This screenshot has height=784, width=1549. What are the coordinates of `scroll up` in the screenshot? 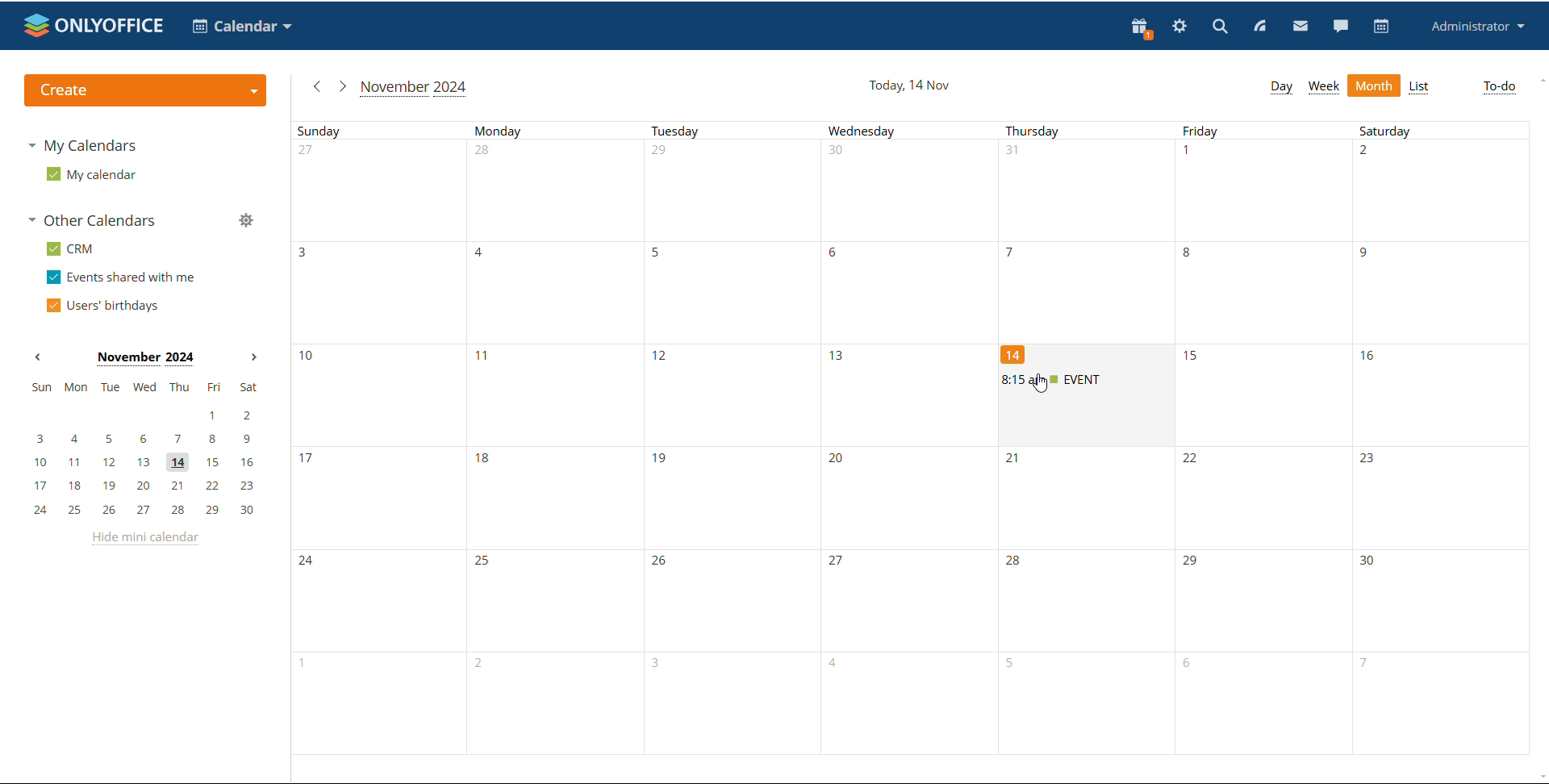 It's located at (1539, 81).